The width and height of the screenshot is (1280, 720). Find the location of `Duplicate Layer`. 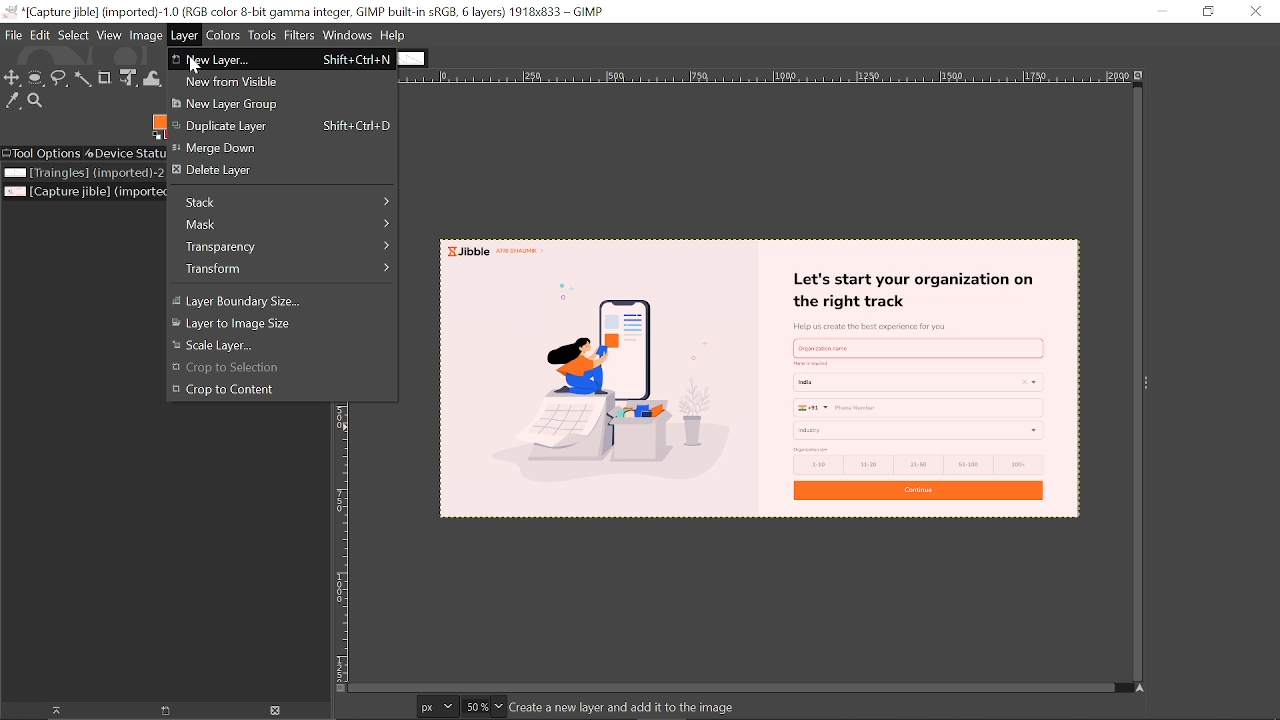

Duplicate Layer is located at coordinates (294, 126).